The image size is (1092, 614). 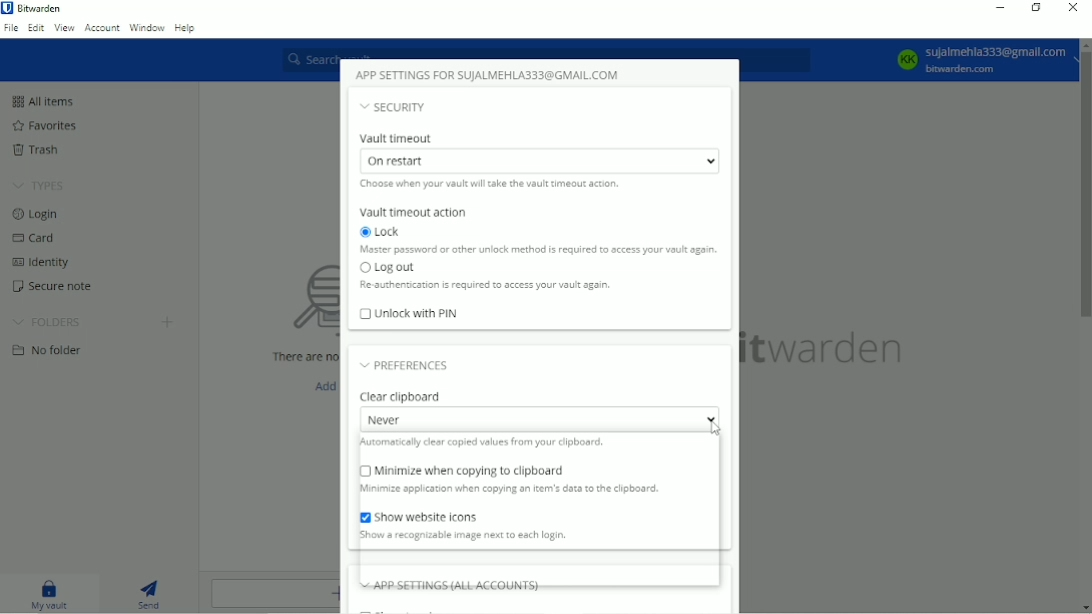 I want to click on Login, so click(x=40, y=215).